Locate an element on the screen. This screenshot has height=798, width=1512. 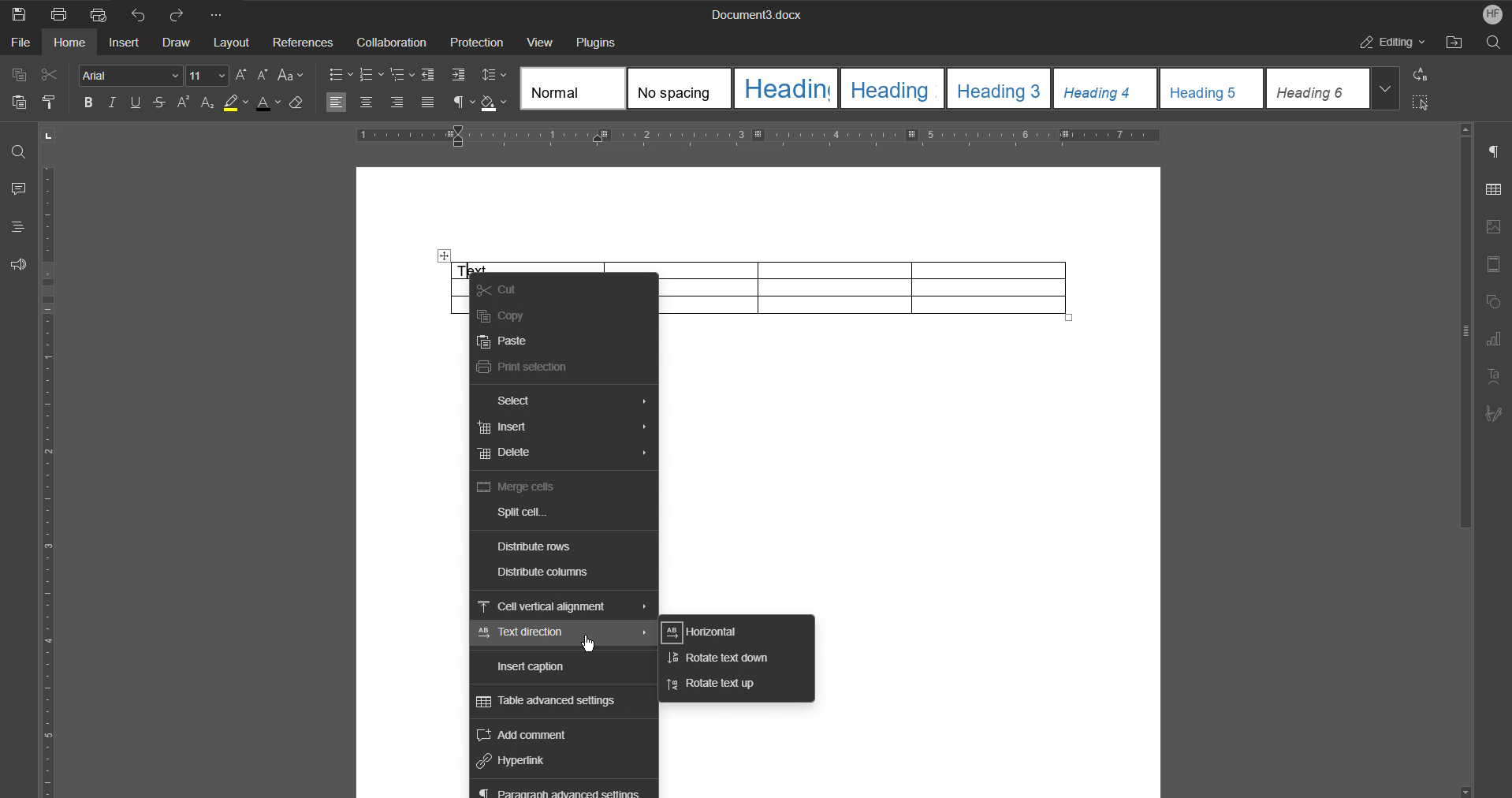
Cell vertical alignment is located at coordinates (546, 606).